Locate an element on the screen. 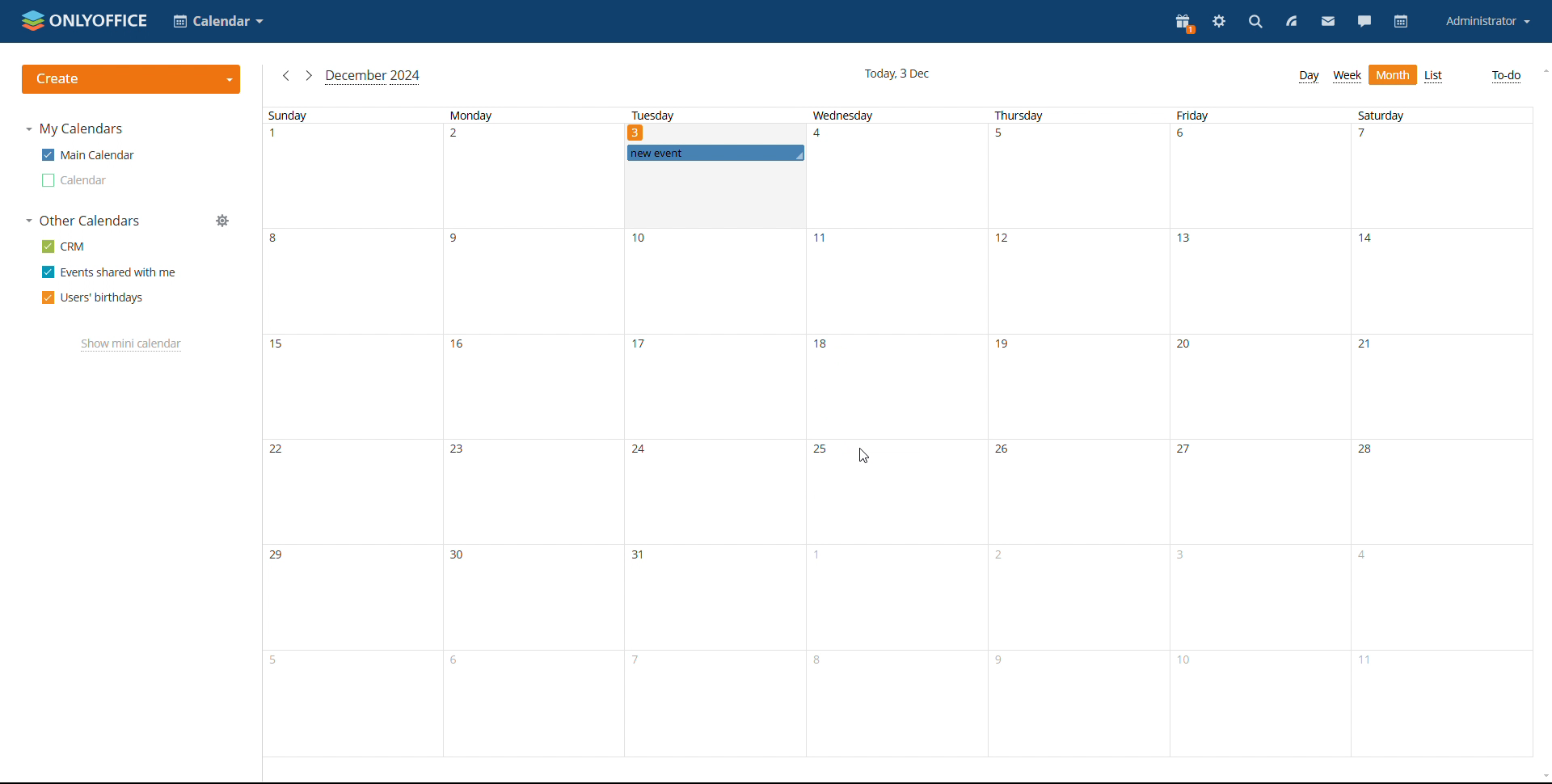 This screenshot has width=1552, height=784. friday is located at coordinates (1259, 432).